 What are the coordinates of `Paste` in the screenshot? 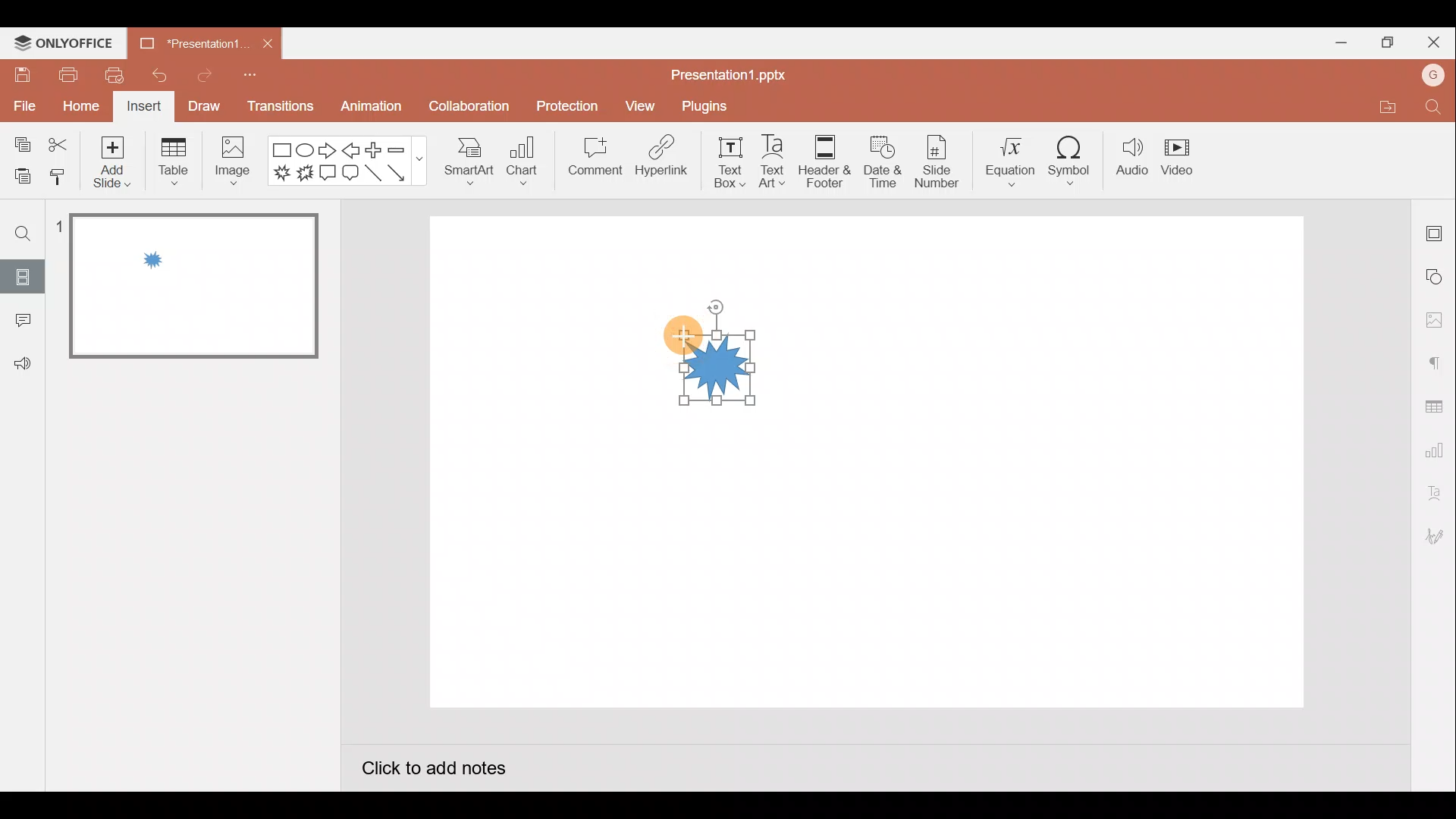 It's located at (21, 178).